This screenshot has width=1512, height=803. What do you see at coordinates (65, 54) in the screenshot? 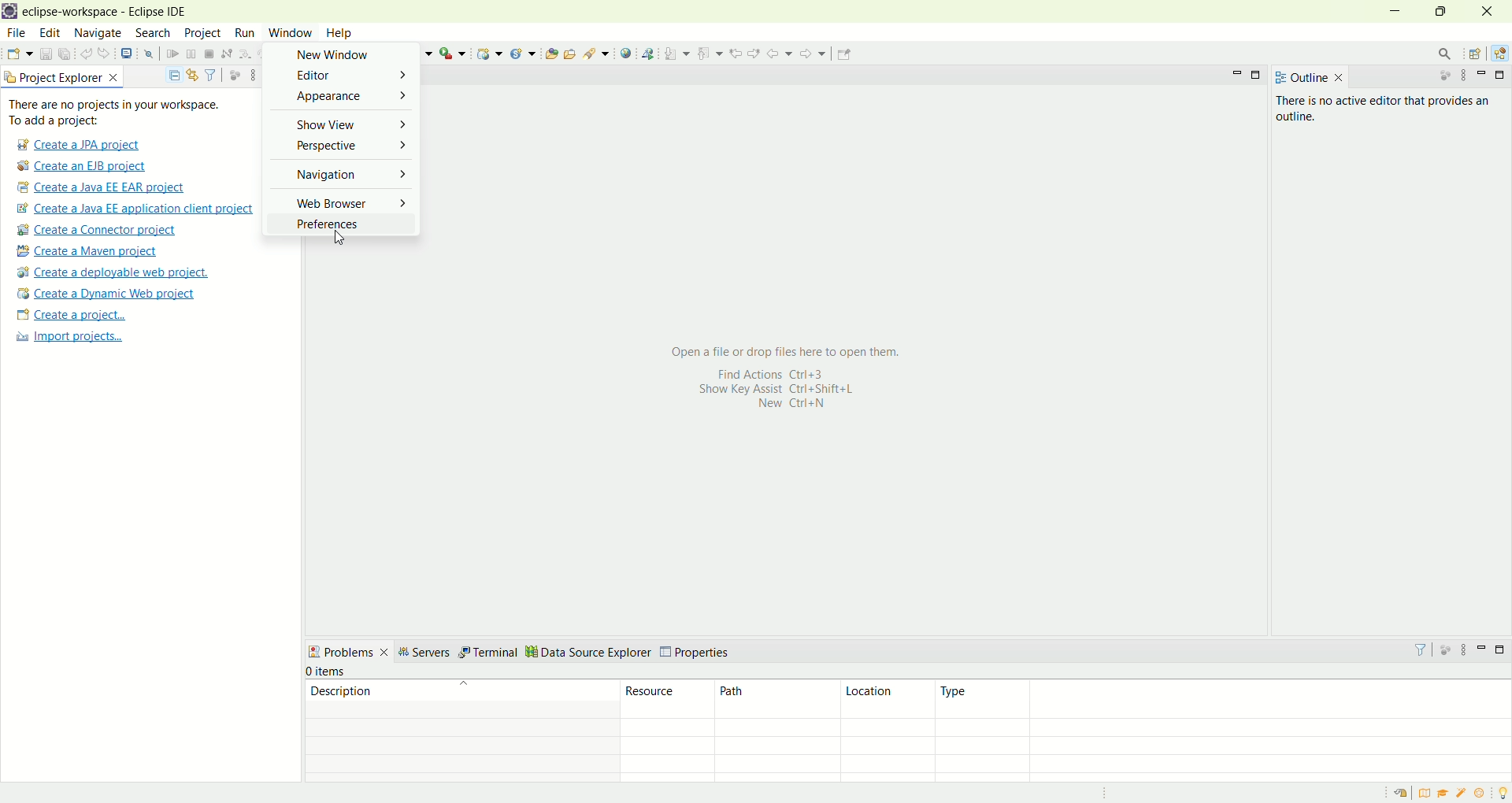
I see `save all` at bounding box center [65, 54].